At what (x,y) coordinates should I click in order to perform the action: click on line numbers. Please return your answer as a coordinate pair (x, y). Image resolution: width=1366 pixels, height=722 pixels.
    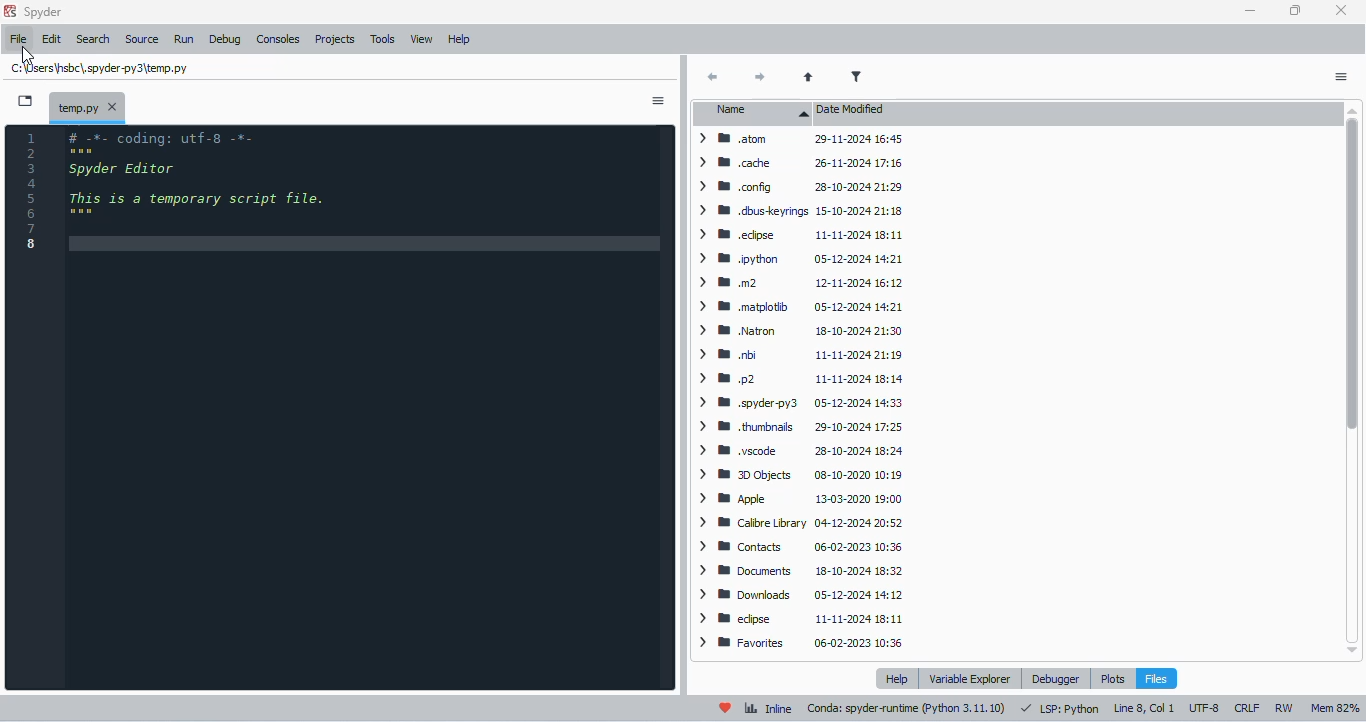
    Looking at the image, I should click on (32, 192).